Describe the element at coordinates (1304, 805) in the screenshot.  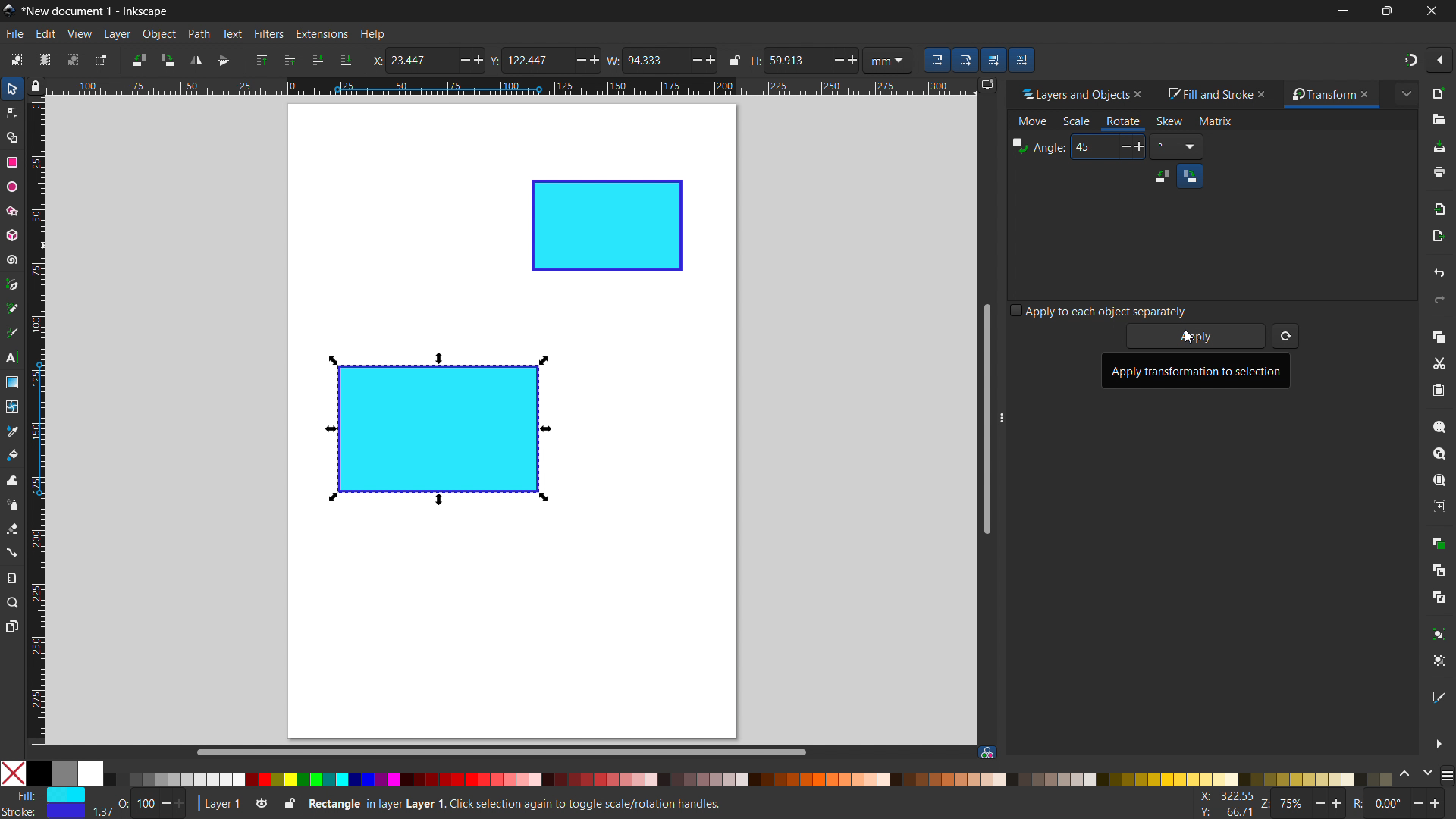
I see `Z: 75%` at that location.